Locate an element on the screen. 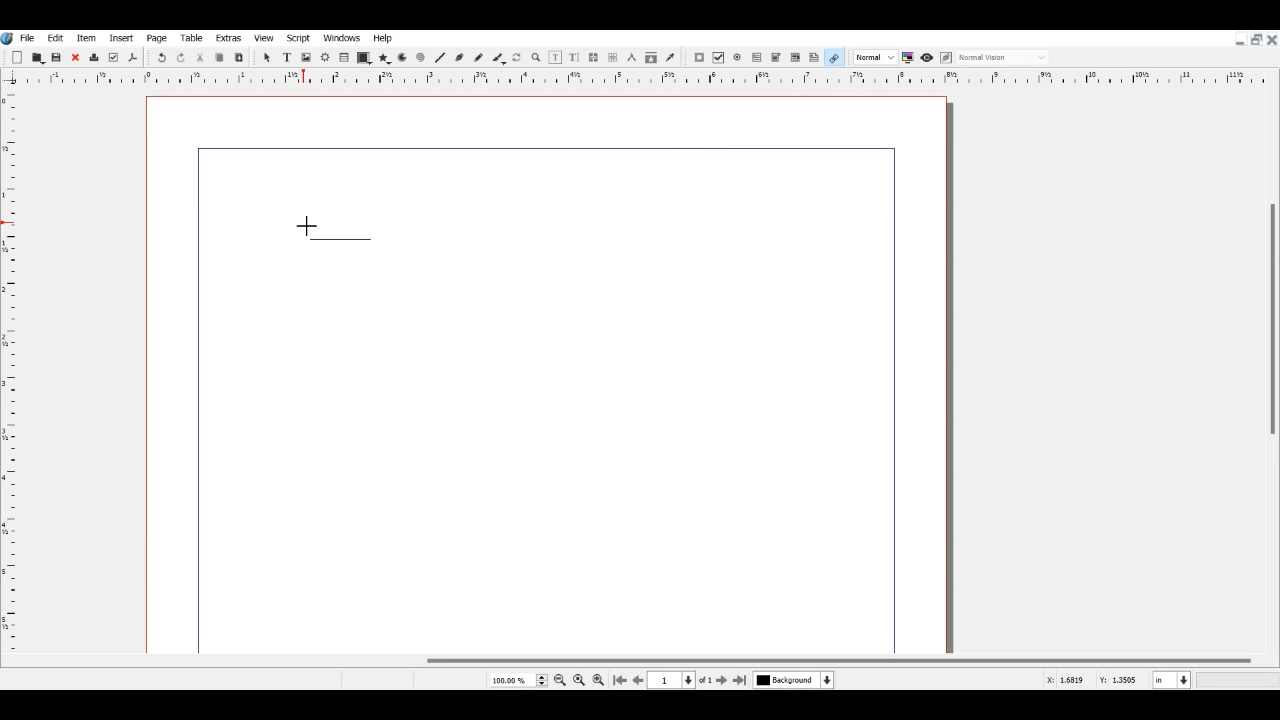 This screenshot has height=720, width=1280. PDF Text Field is located at coordinates (757, 58).